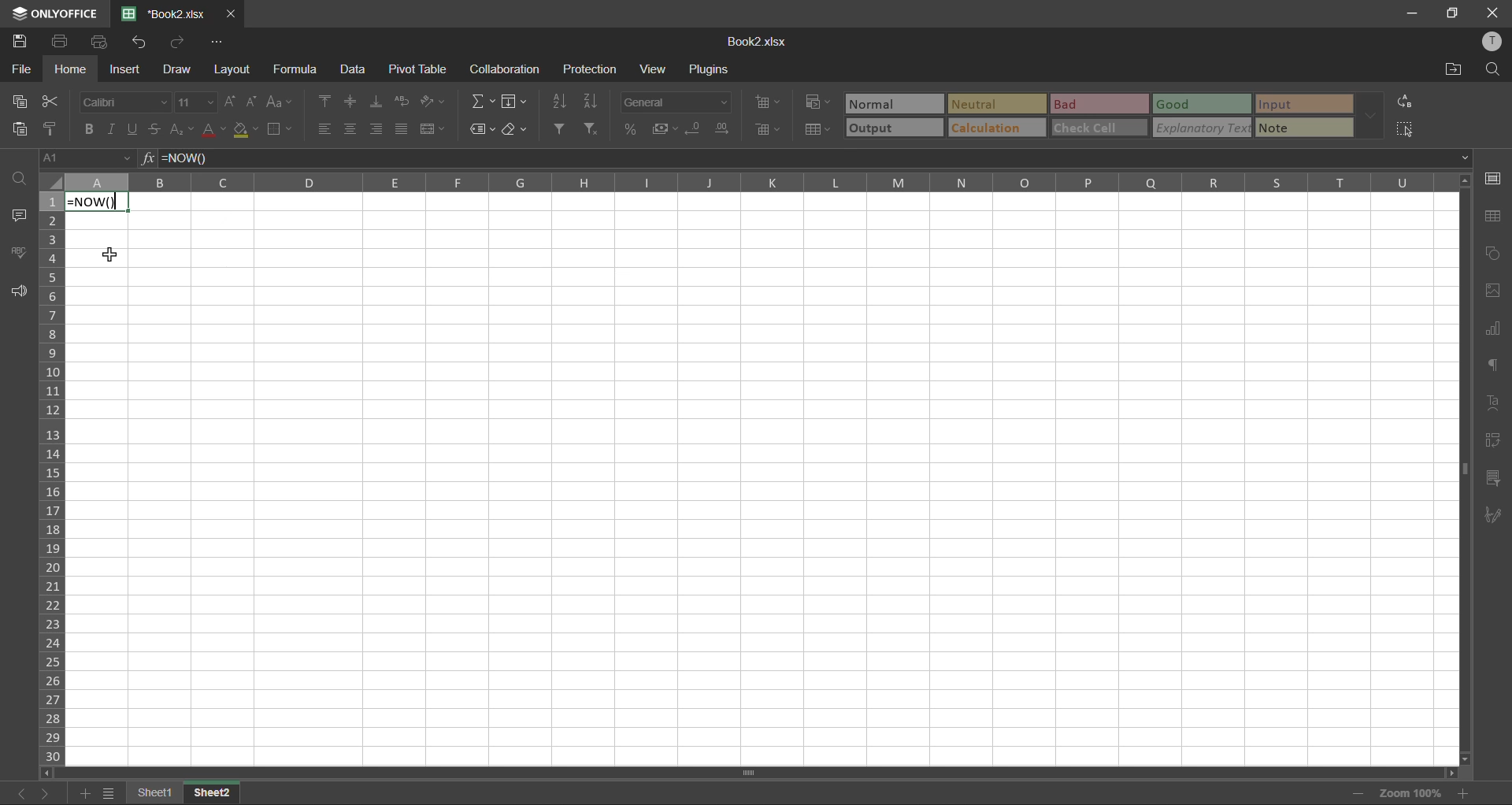 The height and width of the screenshot is (805, 1512). Describe the element at coordinates (115, 255) in the screenshot. I see `cursor` at that location.